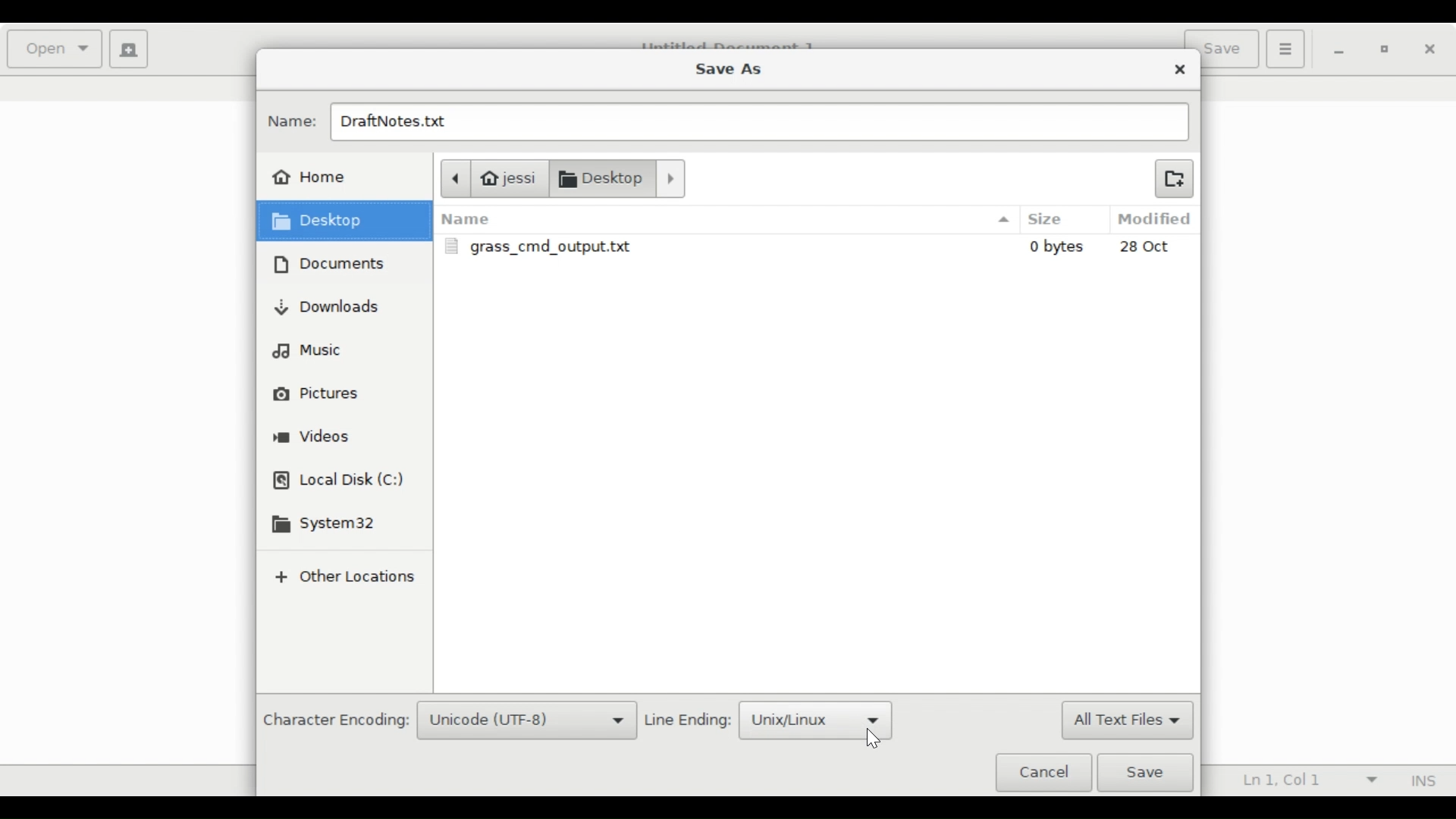 This screenshot has width=1456, height=819. I want to click on Insert Mode, so click(1420, 781).